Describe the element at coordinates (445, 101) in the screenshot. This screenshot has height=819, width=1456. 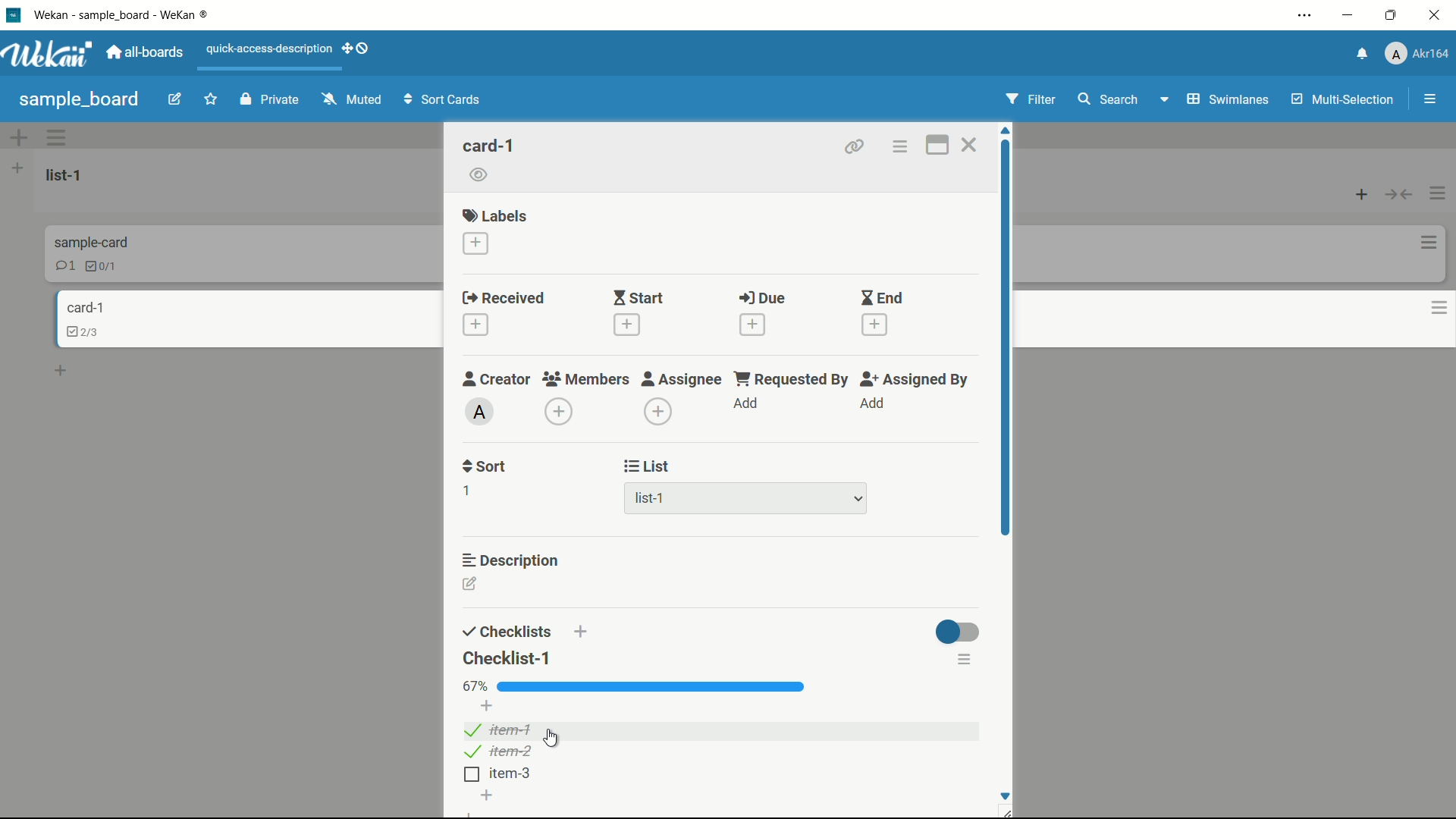
I see `sort cards` at that location.